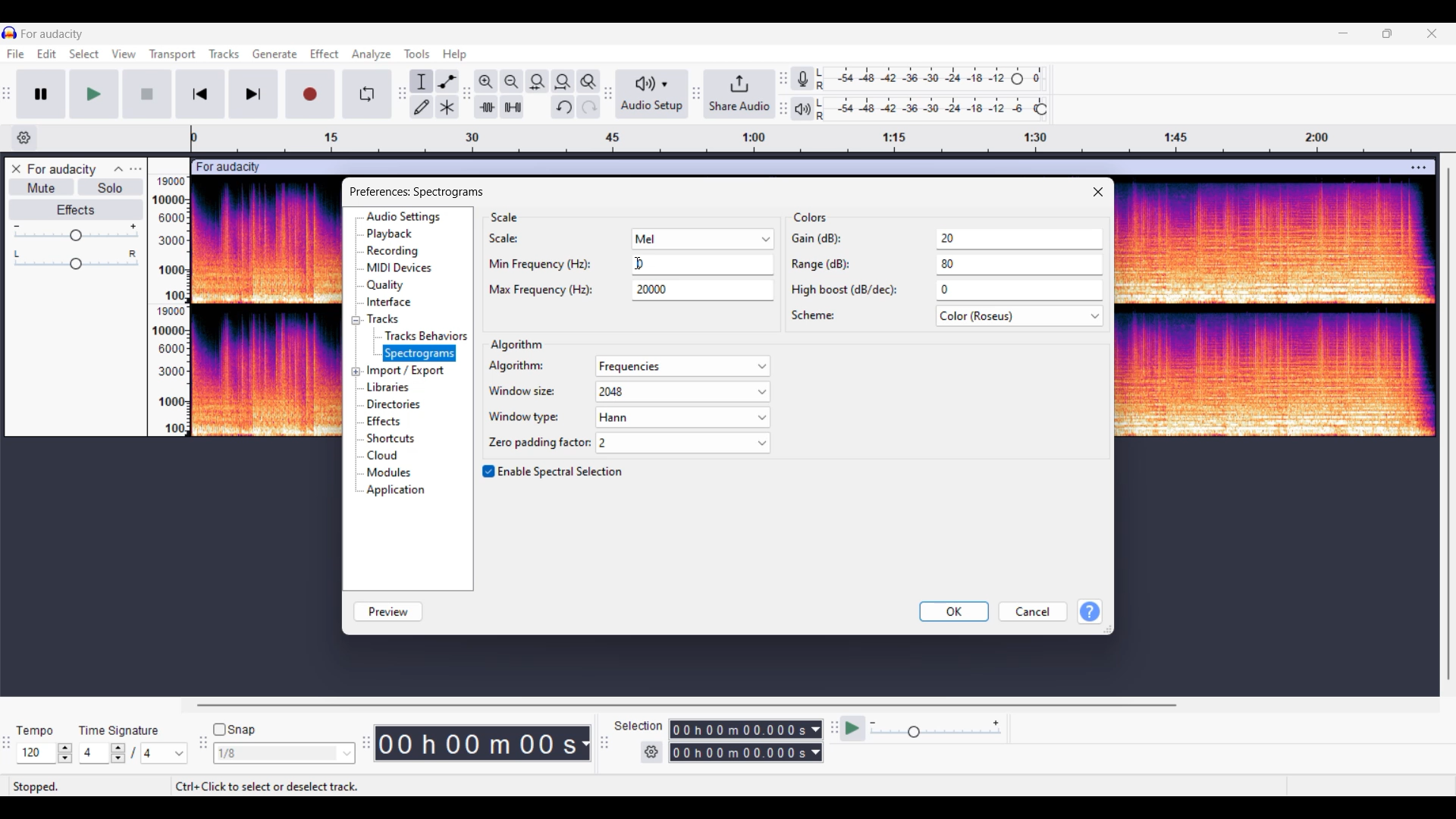 This screenshot has width=1456, height=819. What do you see at coordinates (1107, 629) in the screenshot?
I see `Change dimension` at bounding box center [1107, 629].